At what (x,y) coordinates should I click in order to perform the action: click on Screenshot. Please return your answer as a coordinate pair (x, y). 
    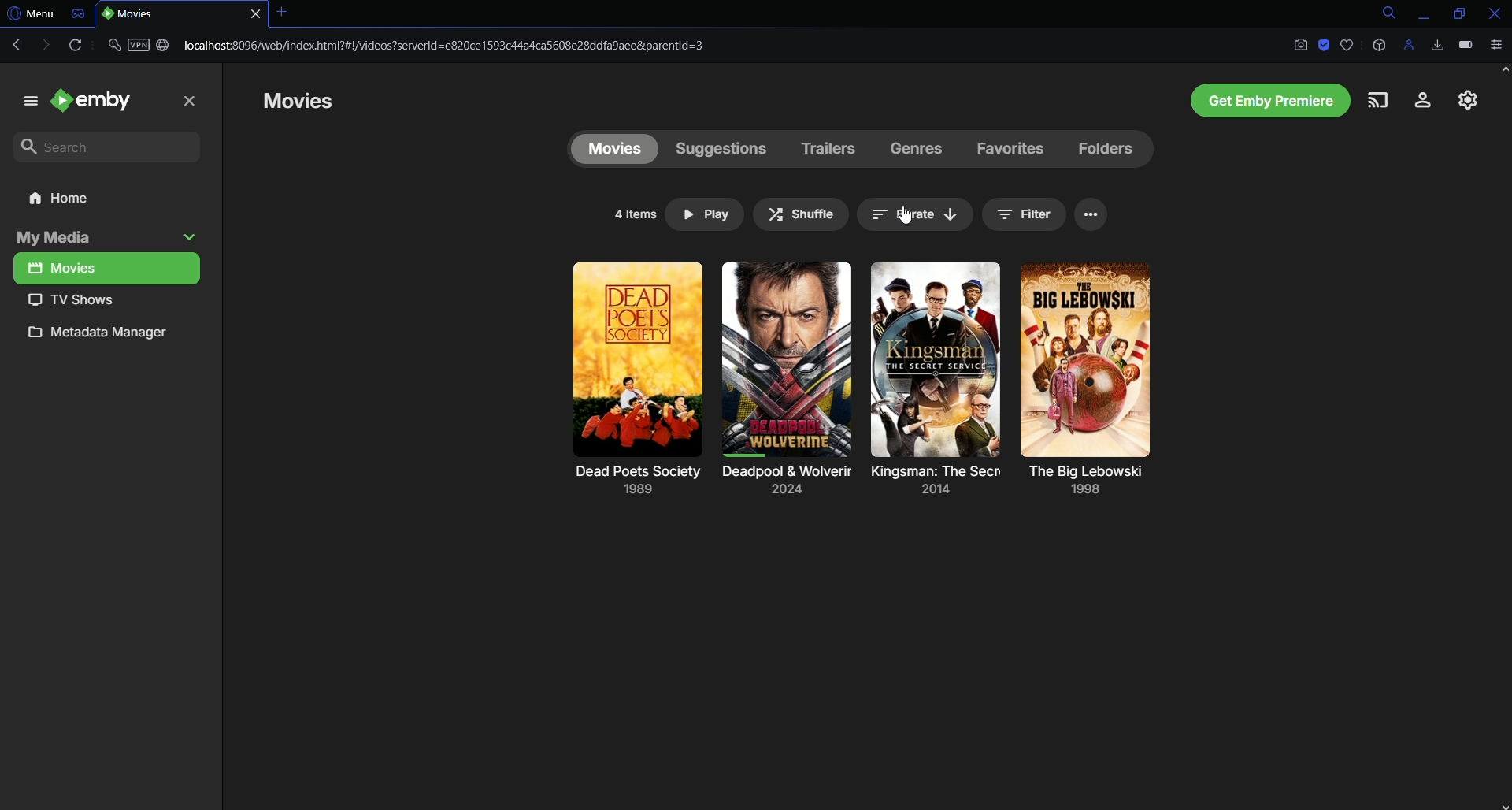
    Looking at the image, I should click on (1299, 46).